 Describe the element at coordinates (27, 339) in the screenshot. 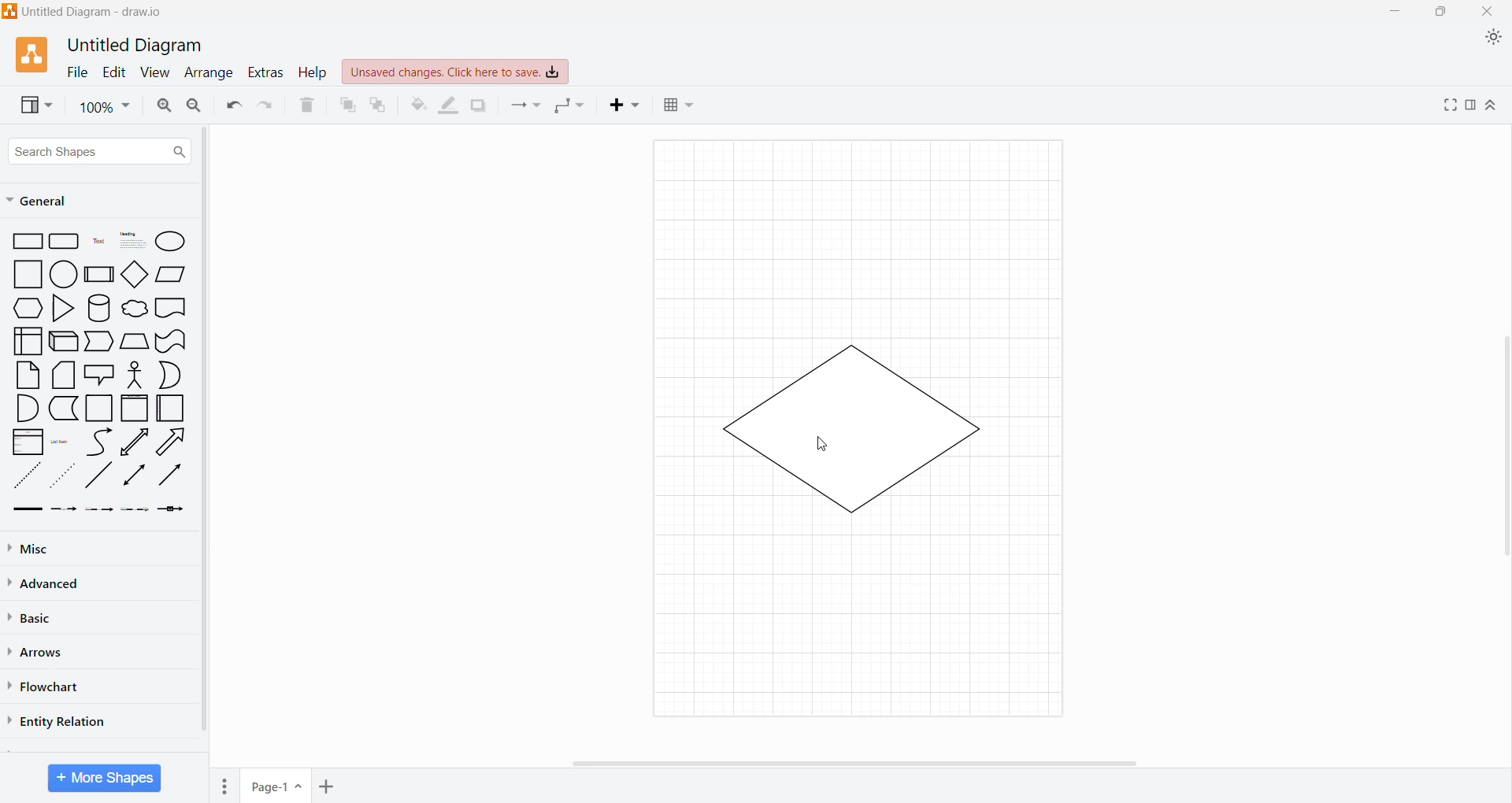

I see `Internal Document` at that location.